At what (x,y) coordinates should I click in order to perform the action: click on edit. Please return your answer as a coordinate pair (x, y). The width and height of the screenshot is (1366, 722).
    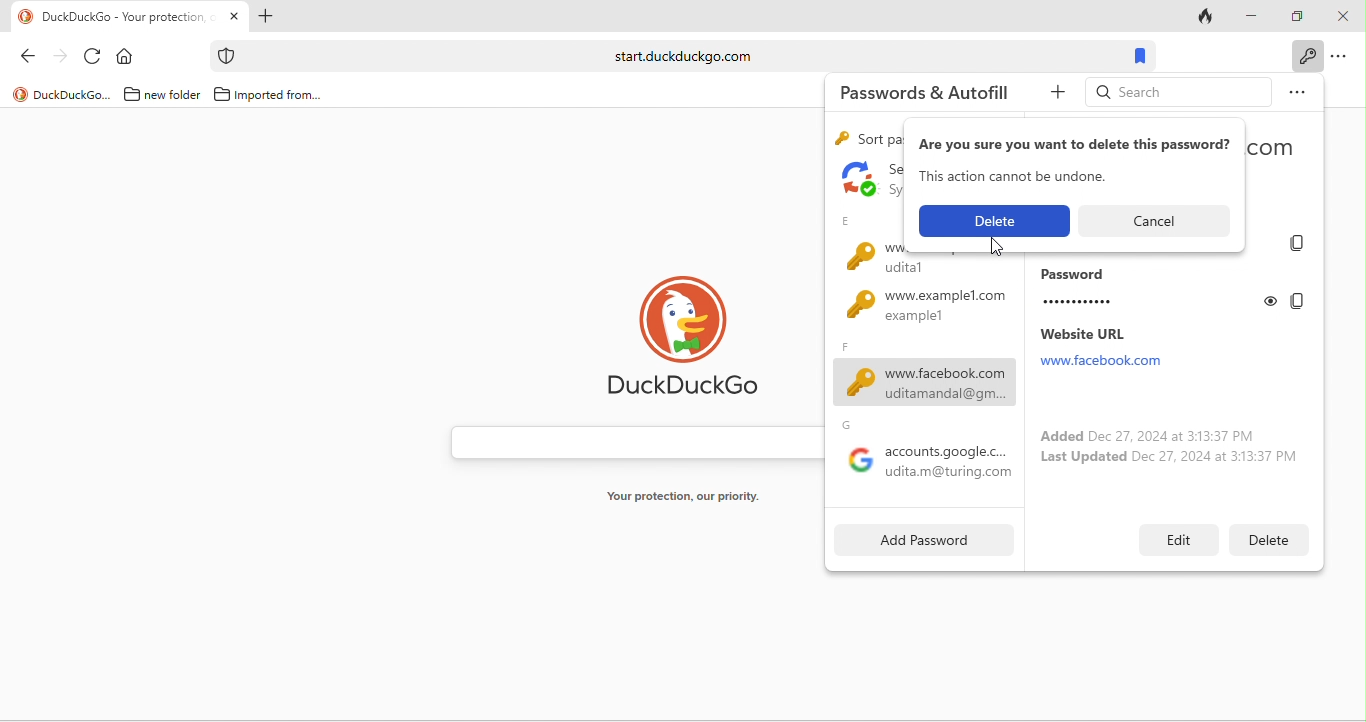
    Looking at the image, I should click on (1179, 538).